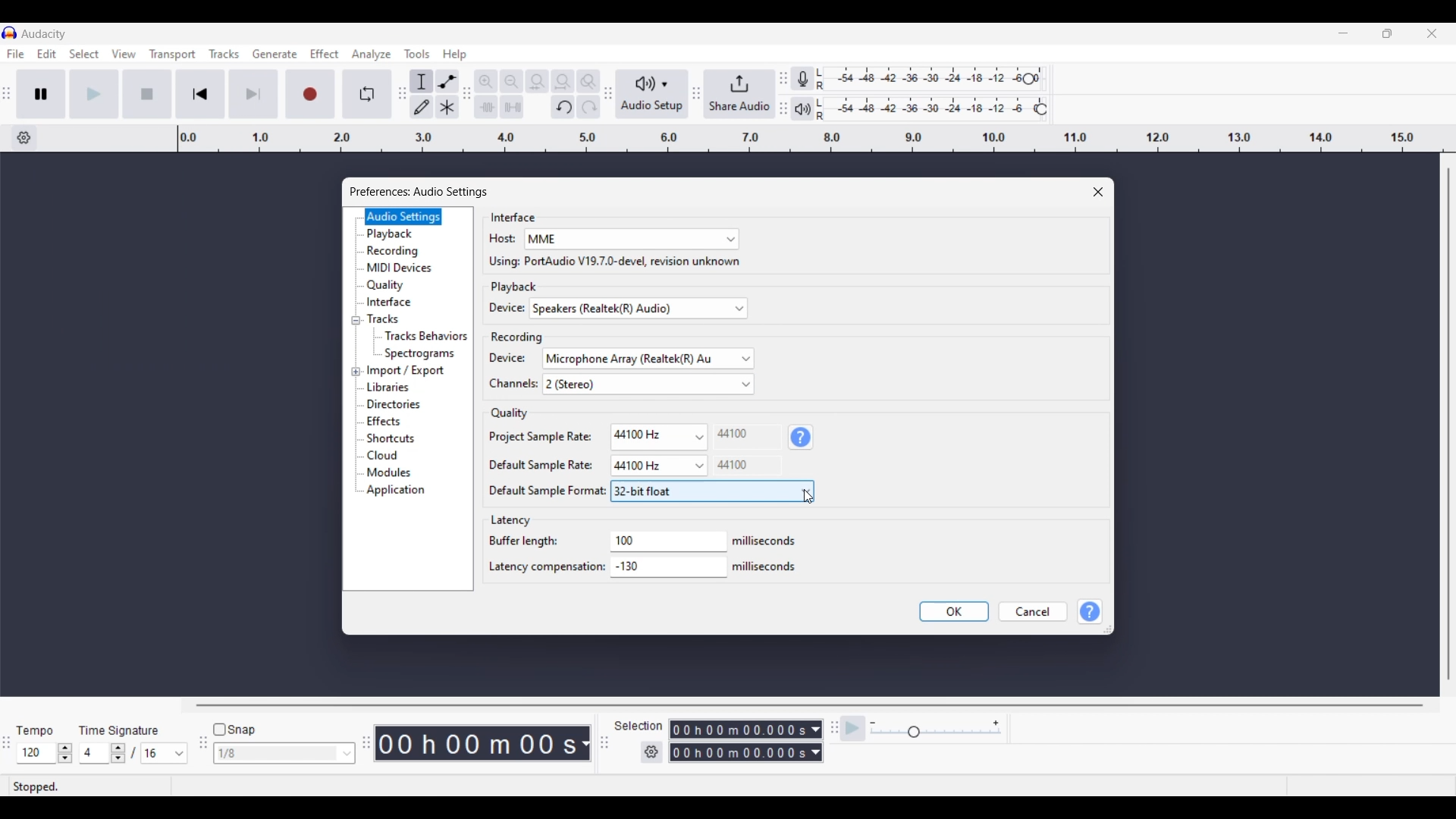 Image resolution: width=1456 pixels, height=819 pixels. I want to click on Tracks, so click(403, 318).